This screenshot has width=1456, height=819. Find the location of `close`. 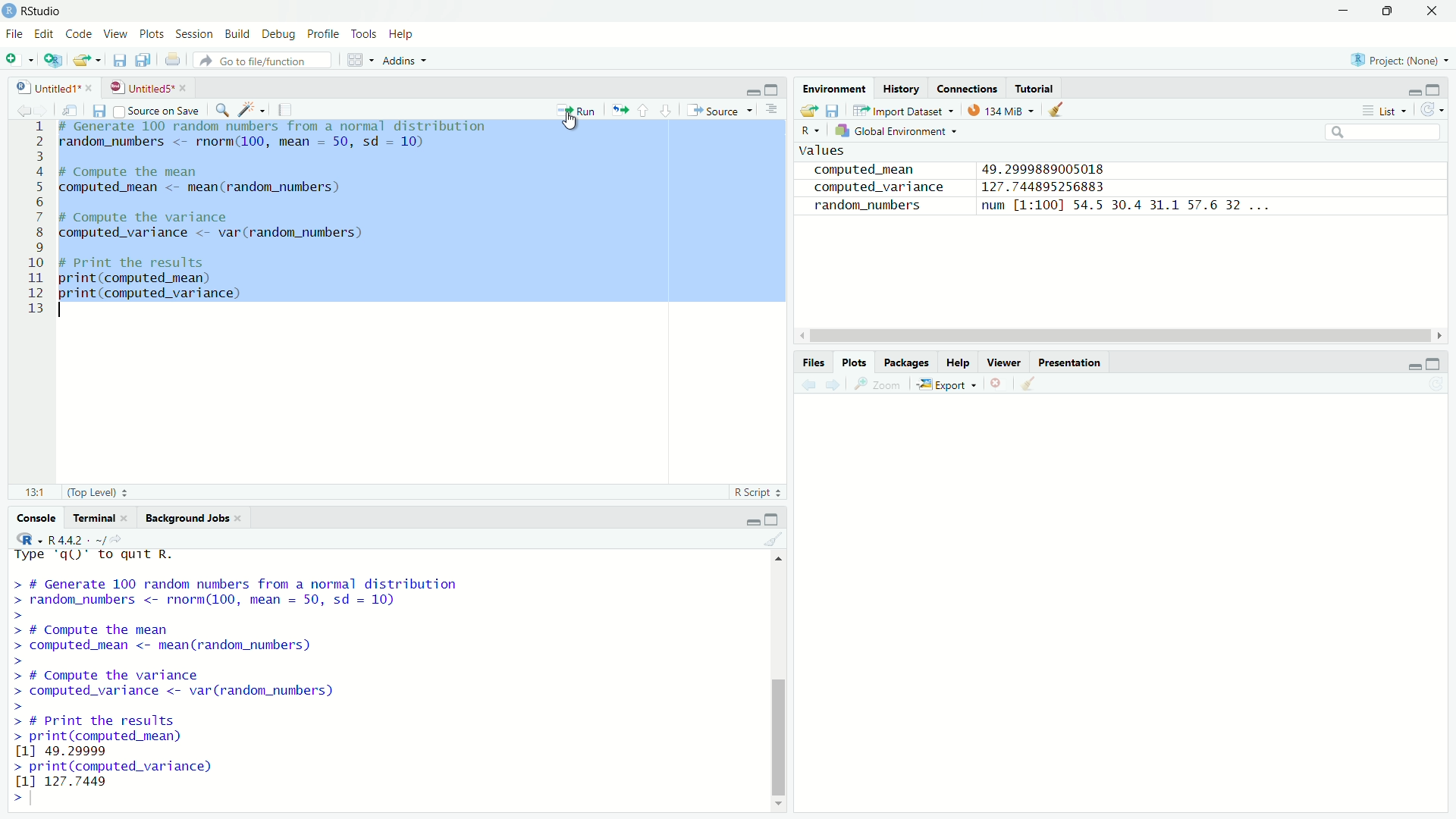

close is located at coordinates (246, 519).